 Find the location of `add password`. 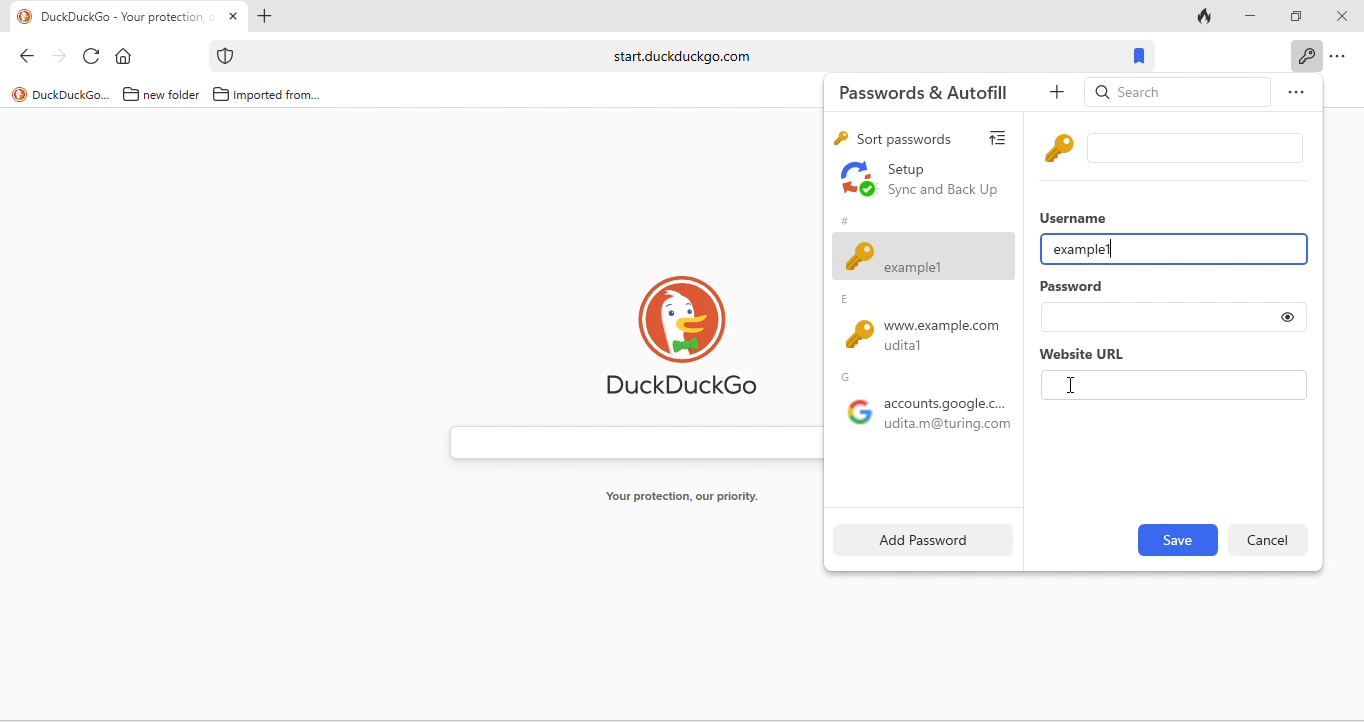

add password is located at coordinates (925, 539).